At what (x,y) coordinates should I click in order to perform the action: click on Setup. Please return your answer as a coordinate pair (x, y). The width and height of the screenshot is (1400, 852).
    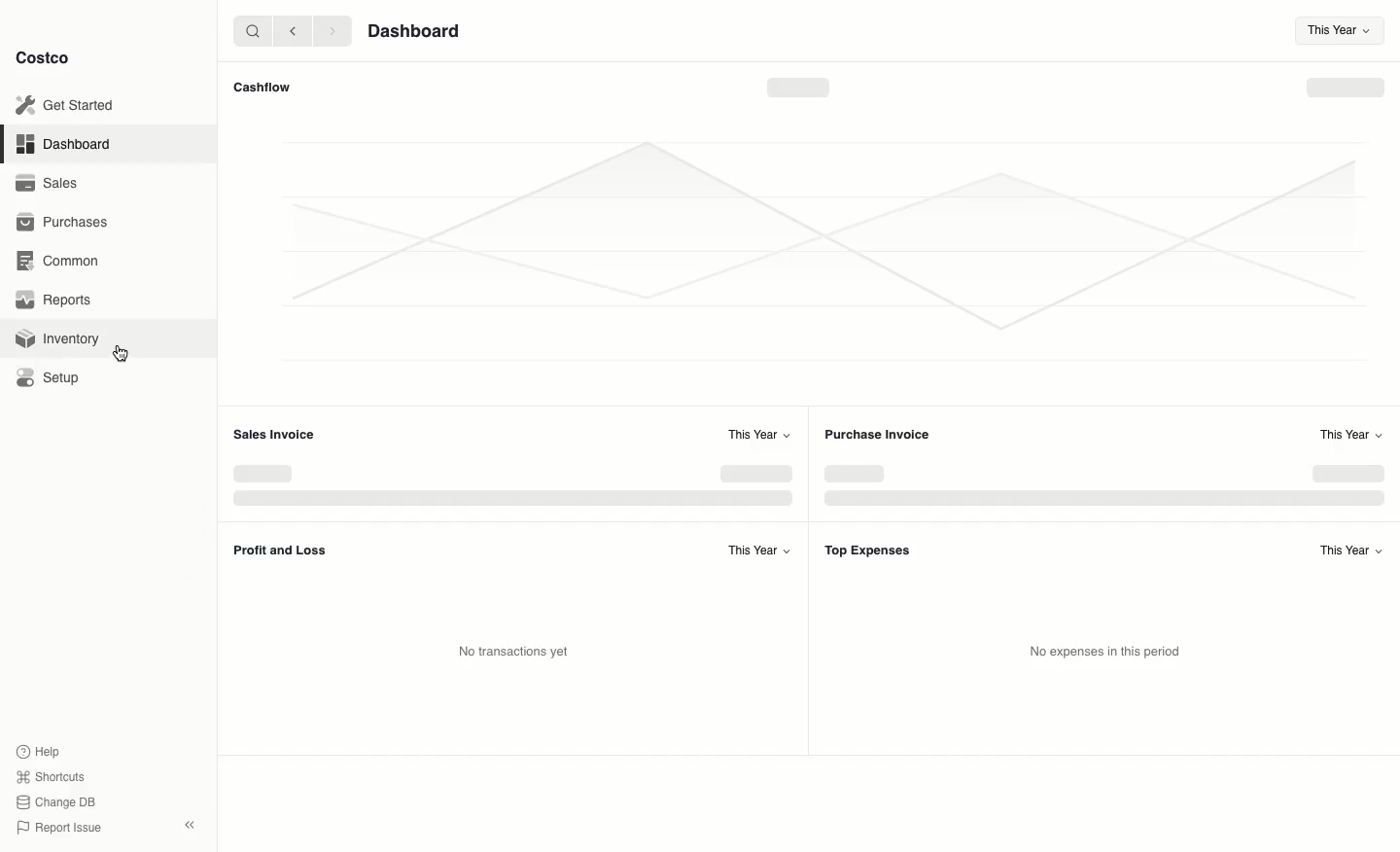
    Looking at the image, I should click on (53, 377).